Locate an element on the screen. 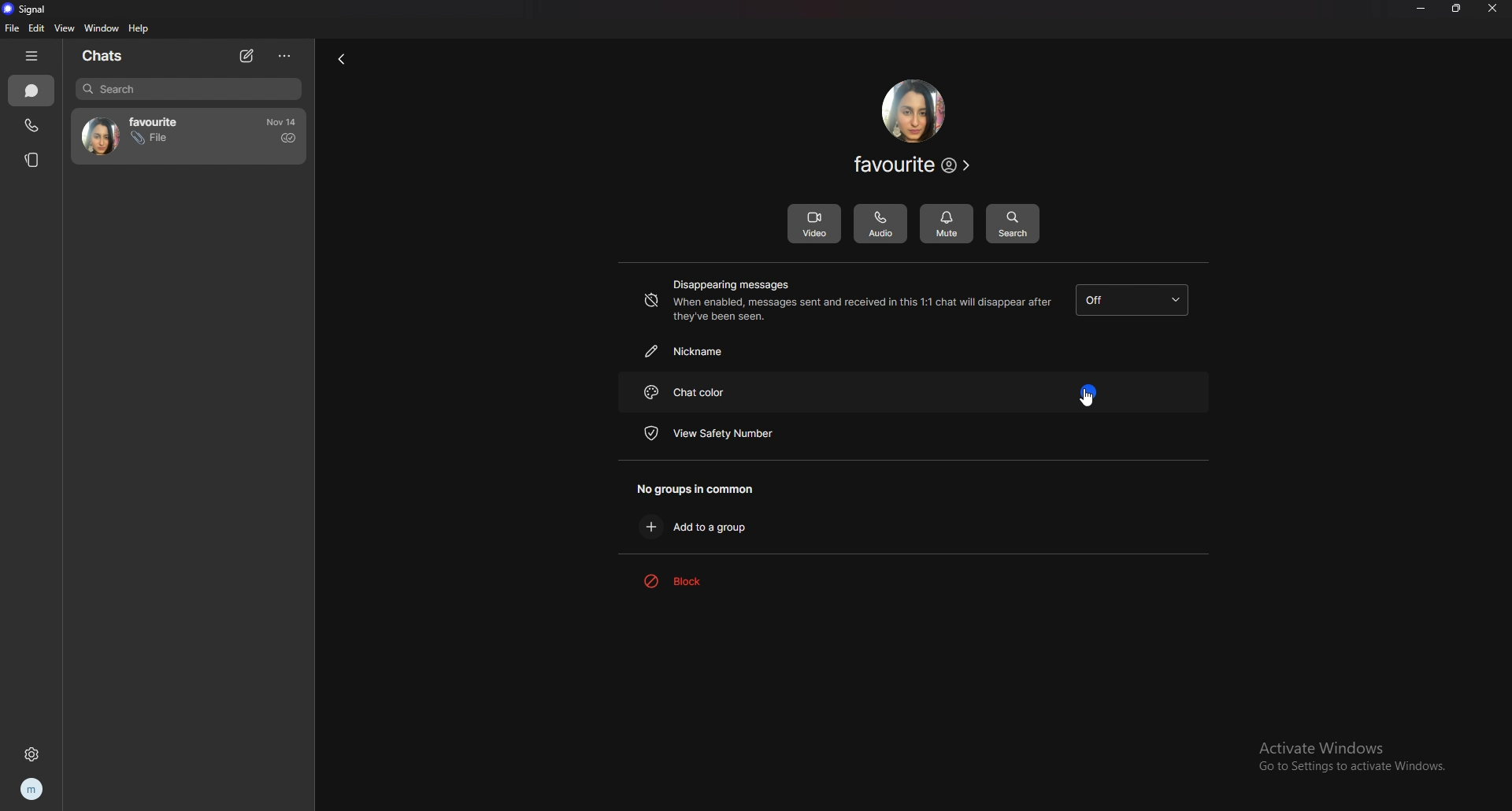 The image size is (1512, 811). hide tab is located at coordinates (31, 56).